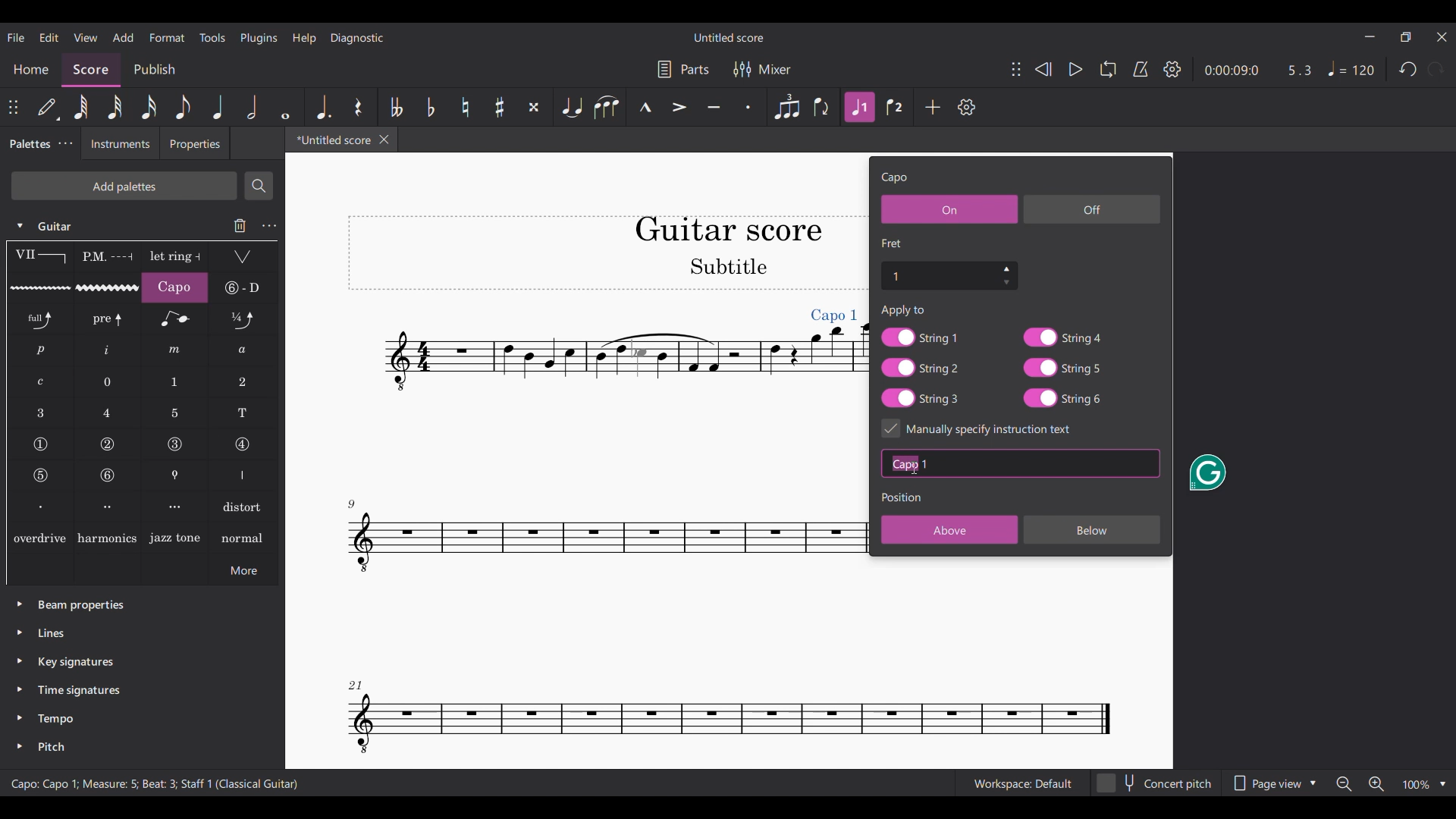 The image size is (1456, 819). I want to click on Search, so click(259, 186).